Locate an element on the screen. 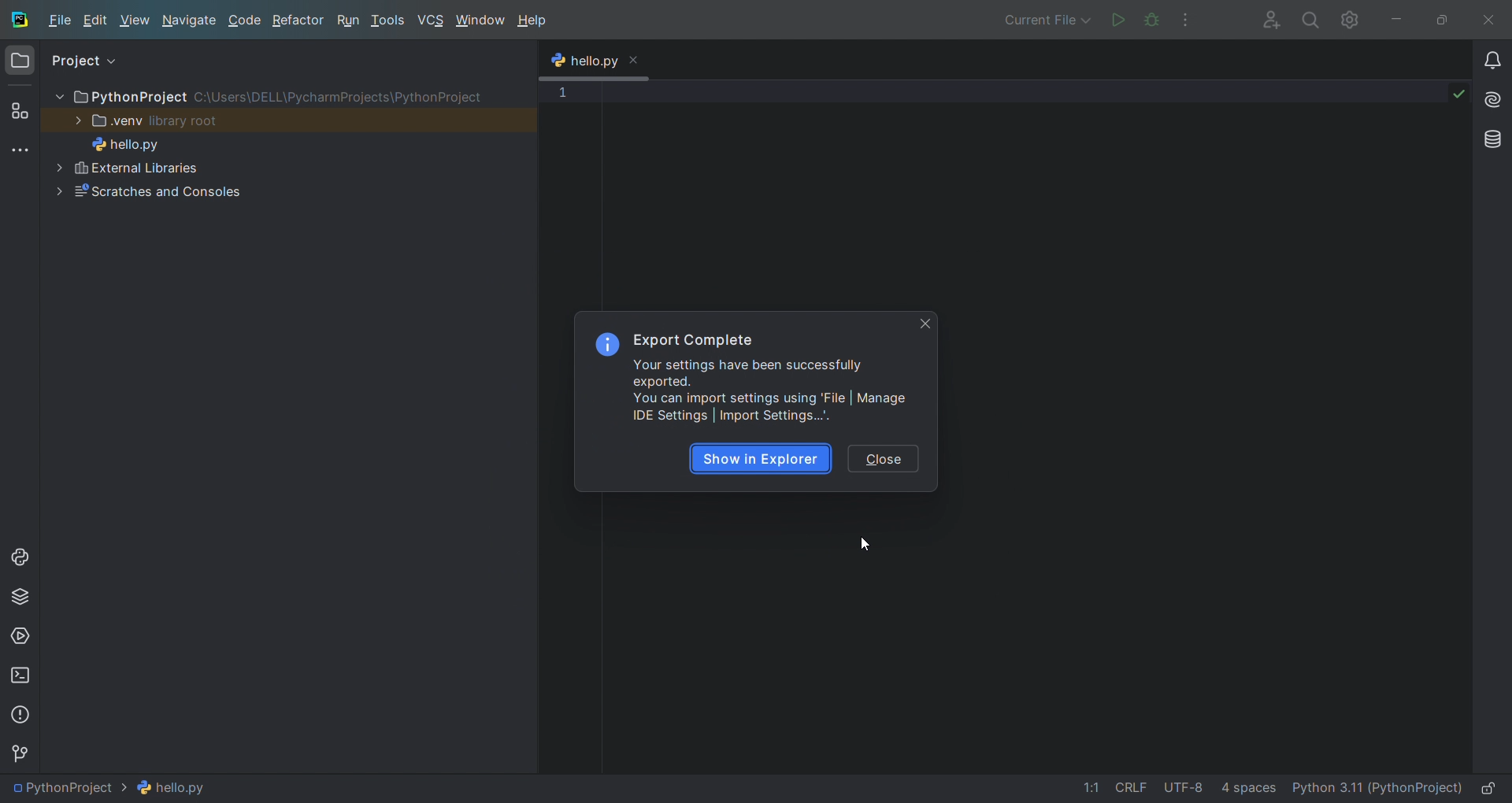 The image size is (1512, 803). run is located at coordinates (1116, 18).